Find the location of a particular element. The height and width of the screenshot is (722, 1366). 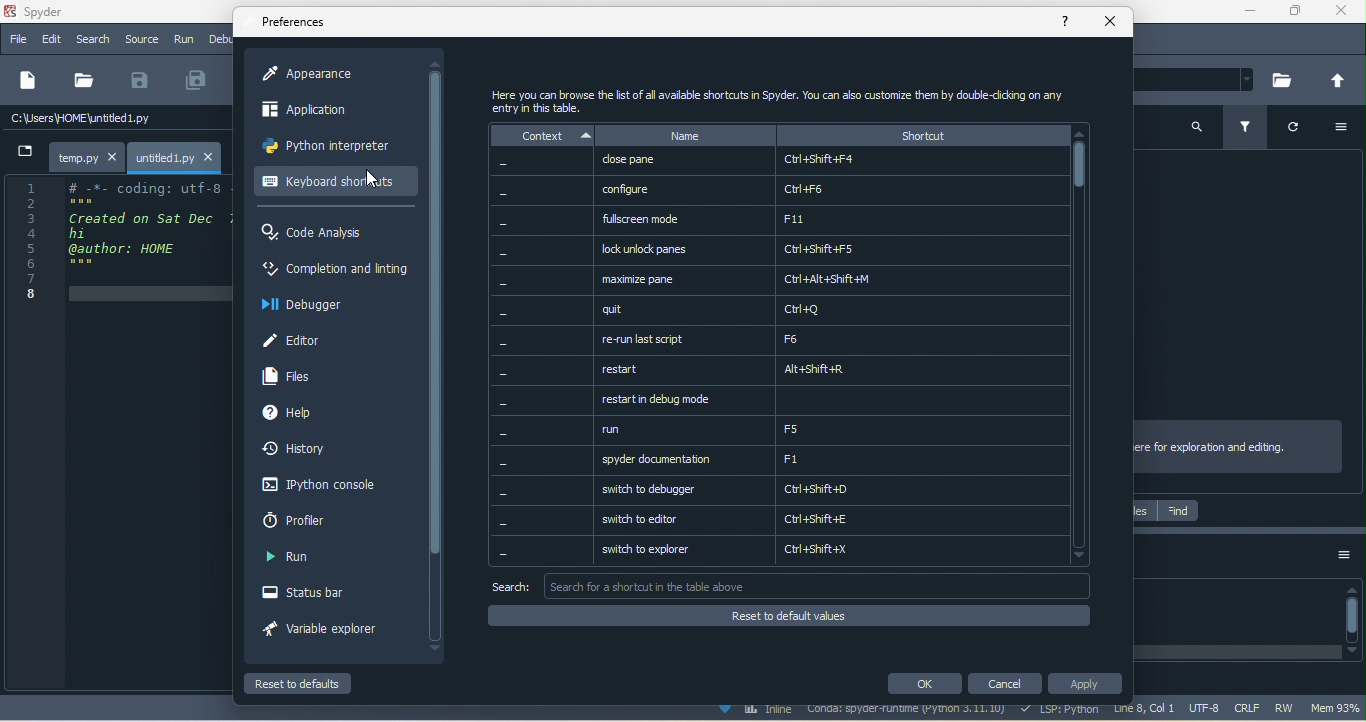

profiler is located at coordinates (318, 523).